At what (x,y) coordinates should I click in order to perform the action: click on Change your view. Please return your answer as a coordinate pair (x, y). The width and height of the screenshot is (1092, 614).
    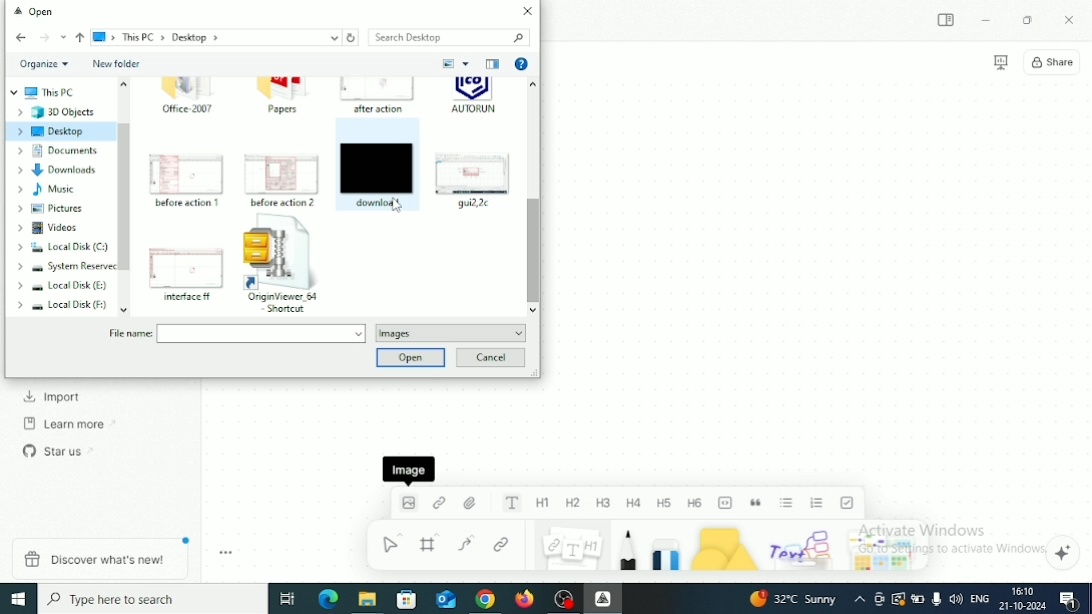
    Looking at the image, I should click on (448, 64).